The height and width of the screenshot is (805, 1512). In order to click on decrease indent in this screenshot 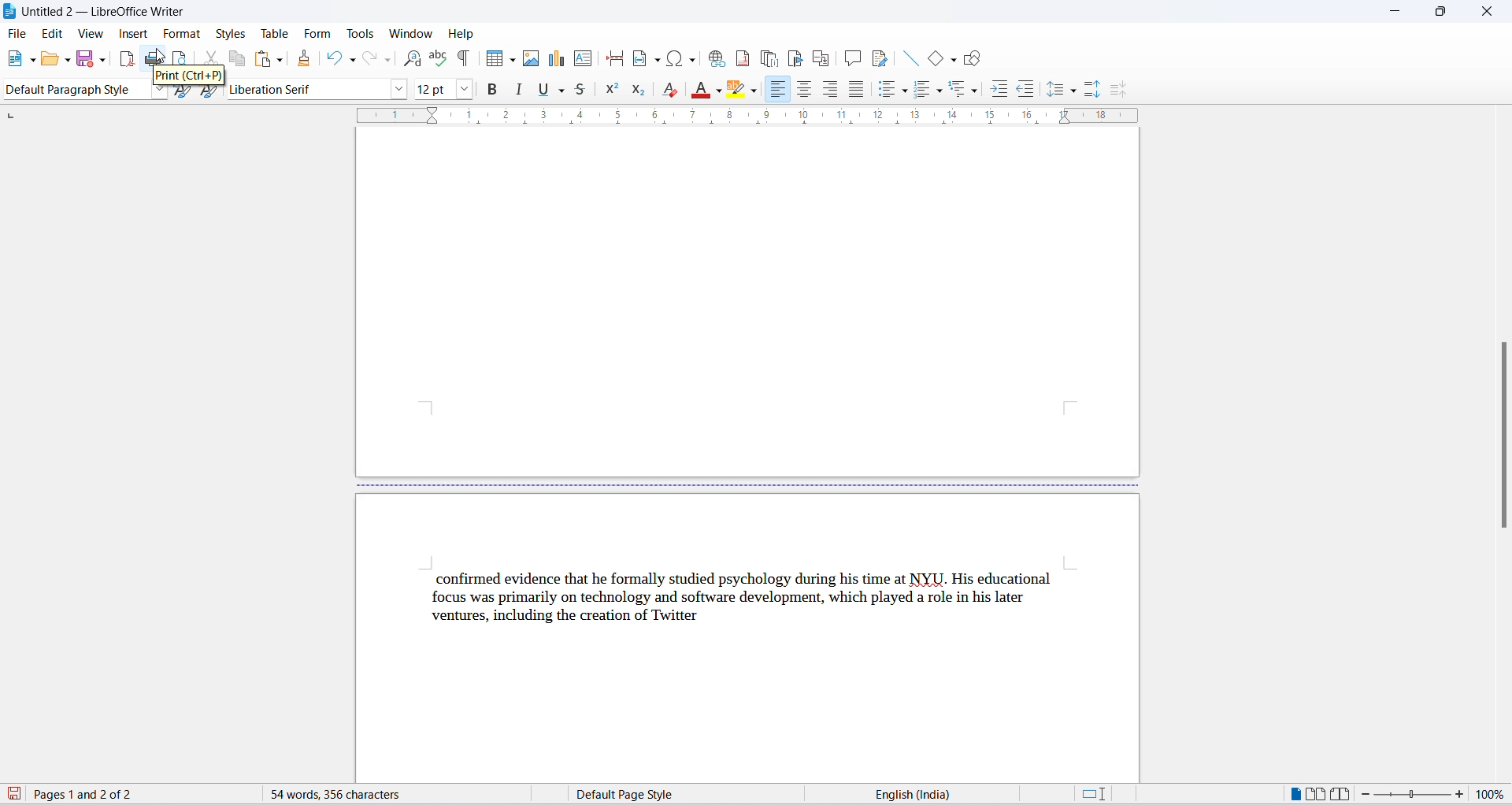, I will do `click(1027, 91)`.